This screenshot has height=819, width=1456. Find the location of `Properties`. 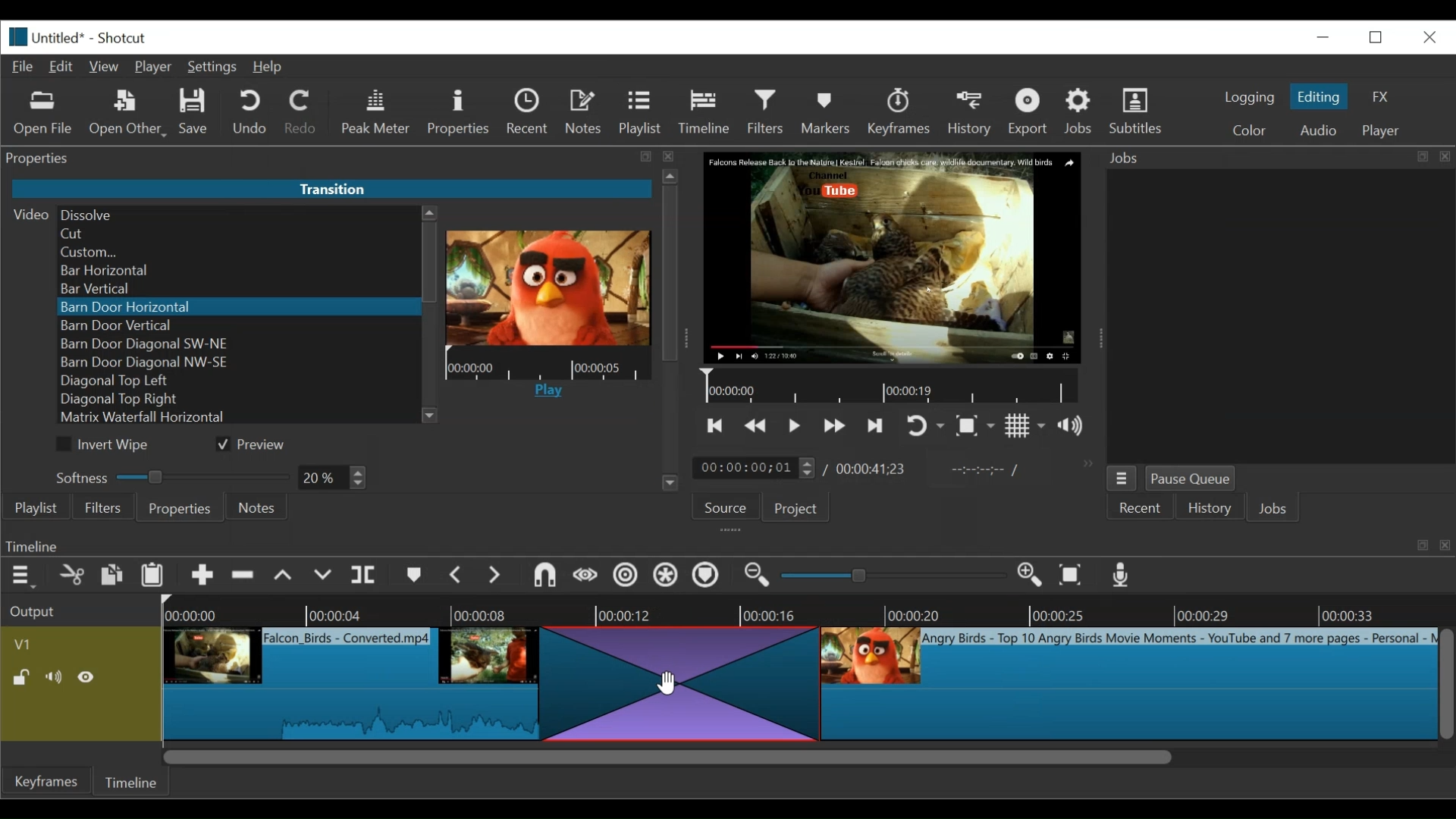

Properties is located at coordinates (179, 507).